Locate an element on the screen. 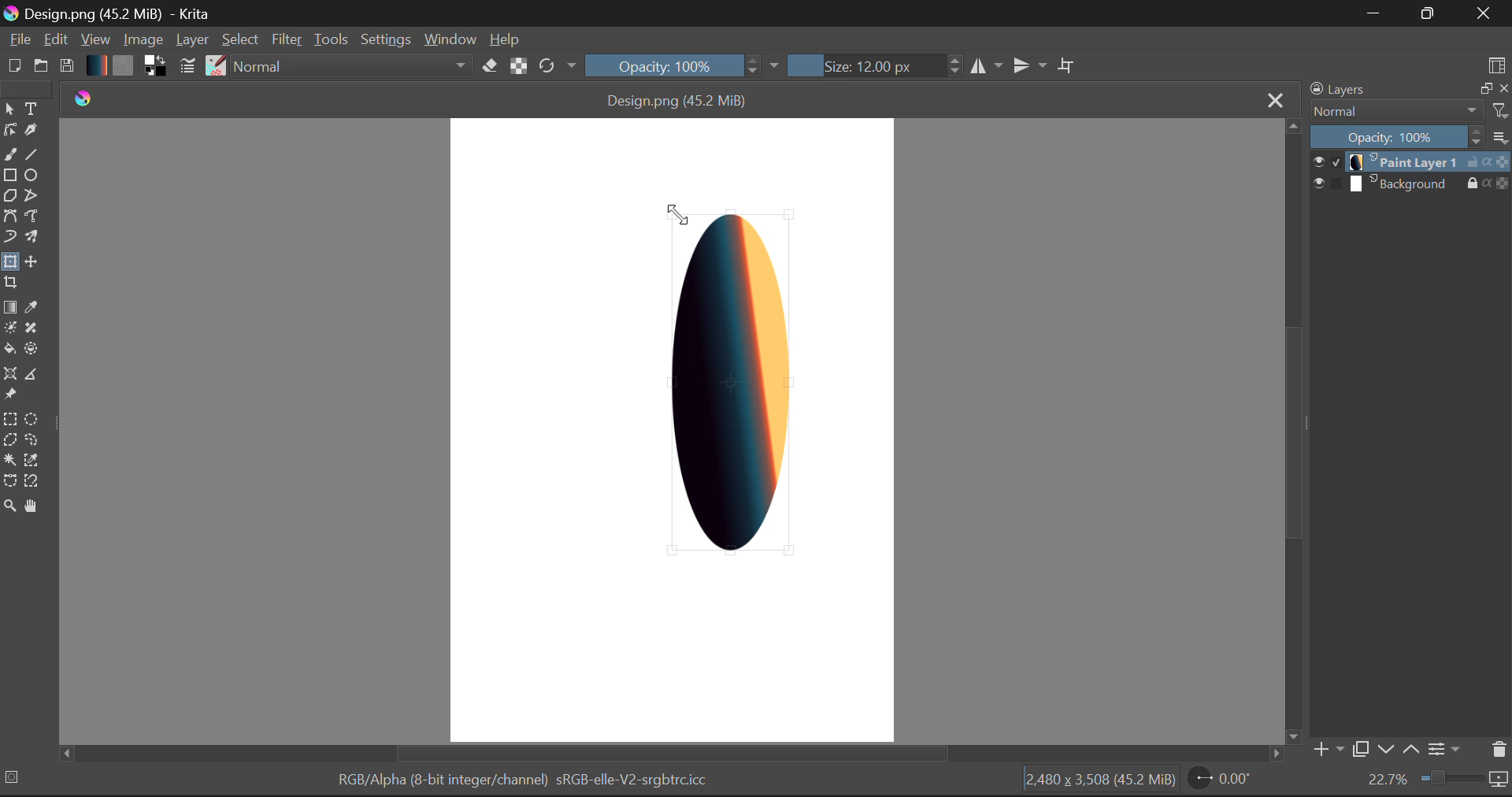 The height and width of the screenshot is (797, 1512). Zoom is located at coordinates (9, 509).